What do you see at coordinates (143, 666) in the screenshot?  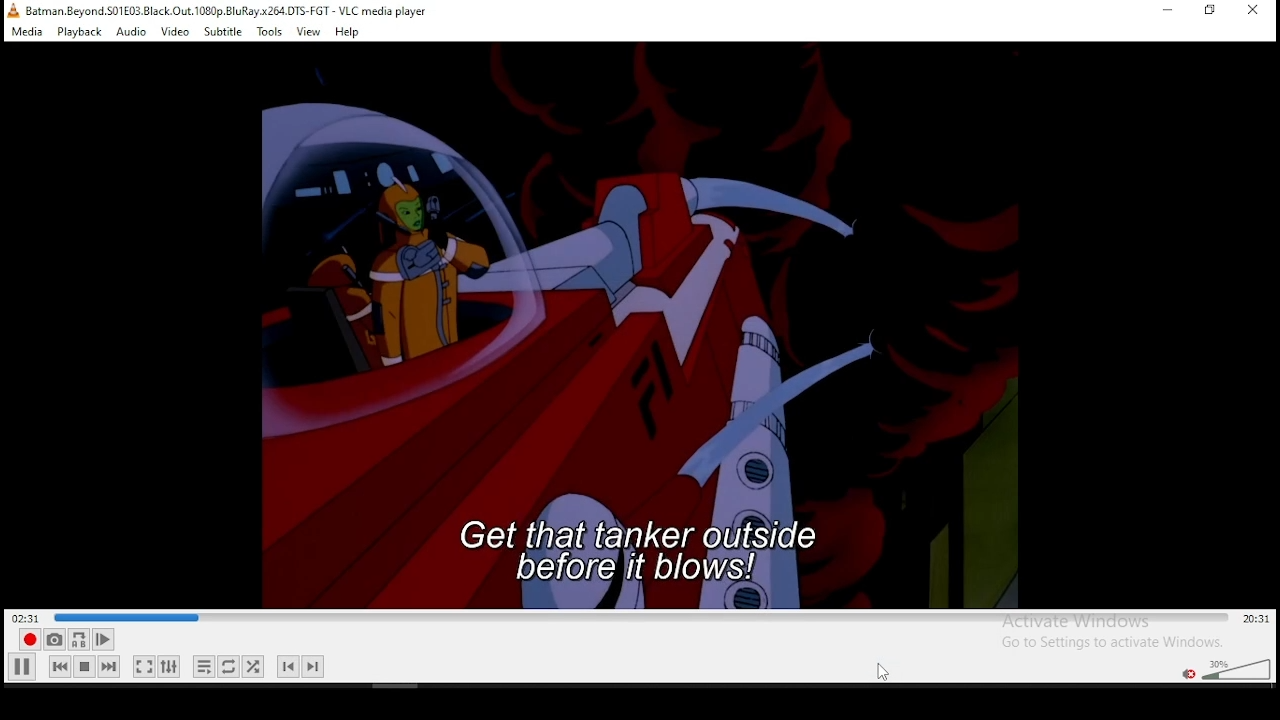 I see `toggle video in fullscreen` at bounding box center [143, 666].